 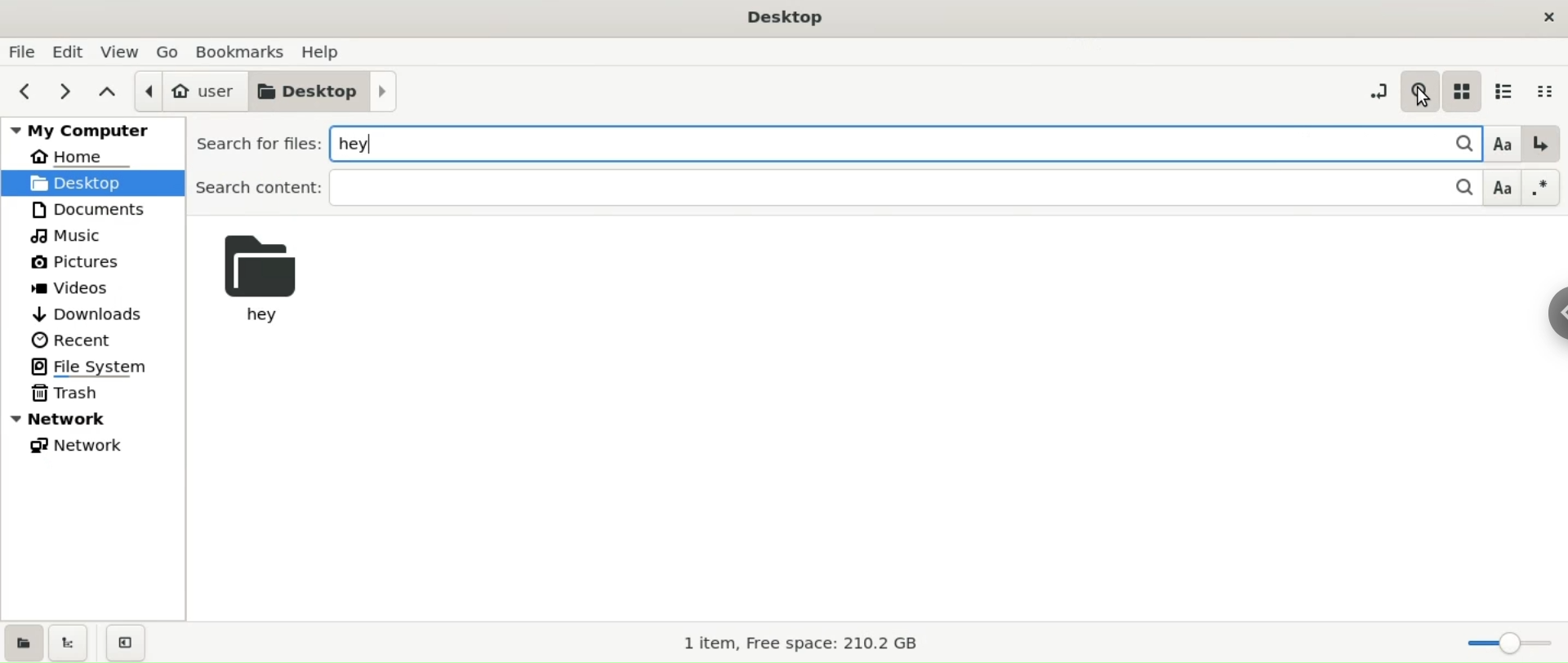 I want to click on sidebar, so click(x=1550, y=314).